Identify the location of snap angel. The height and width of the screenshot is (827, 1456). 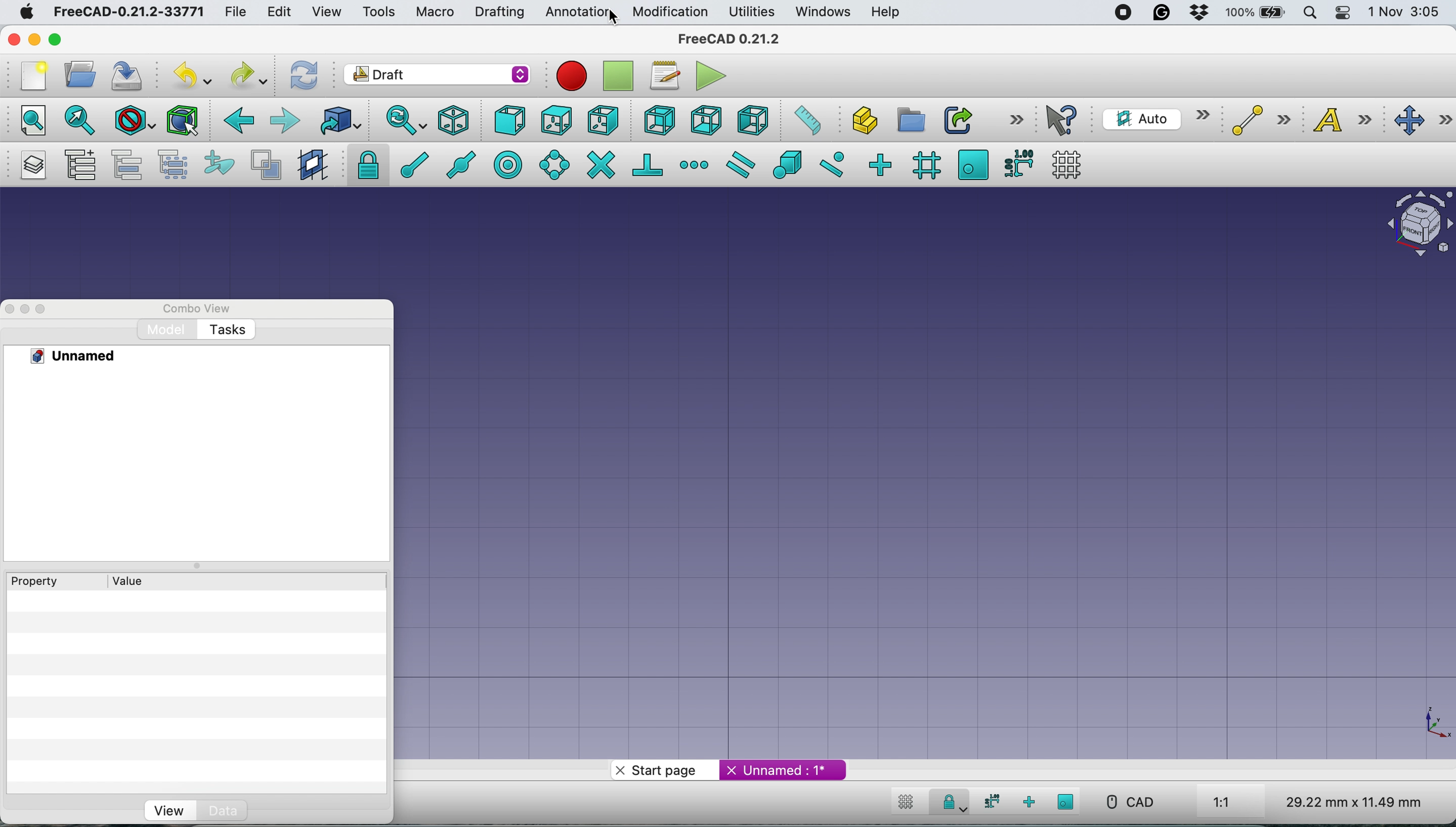
(553, 163).